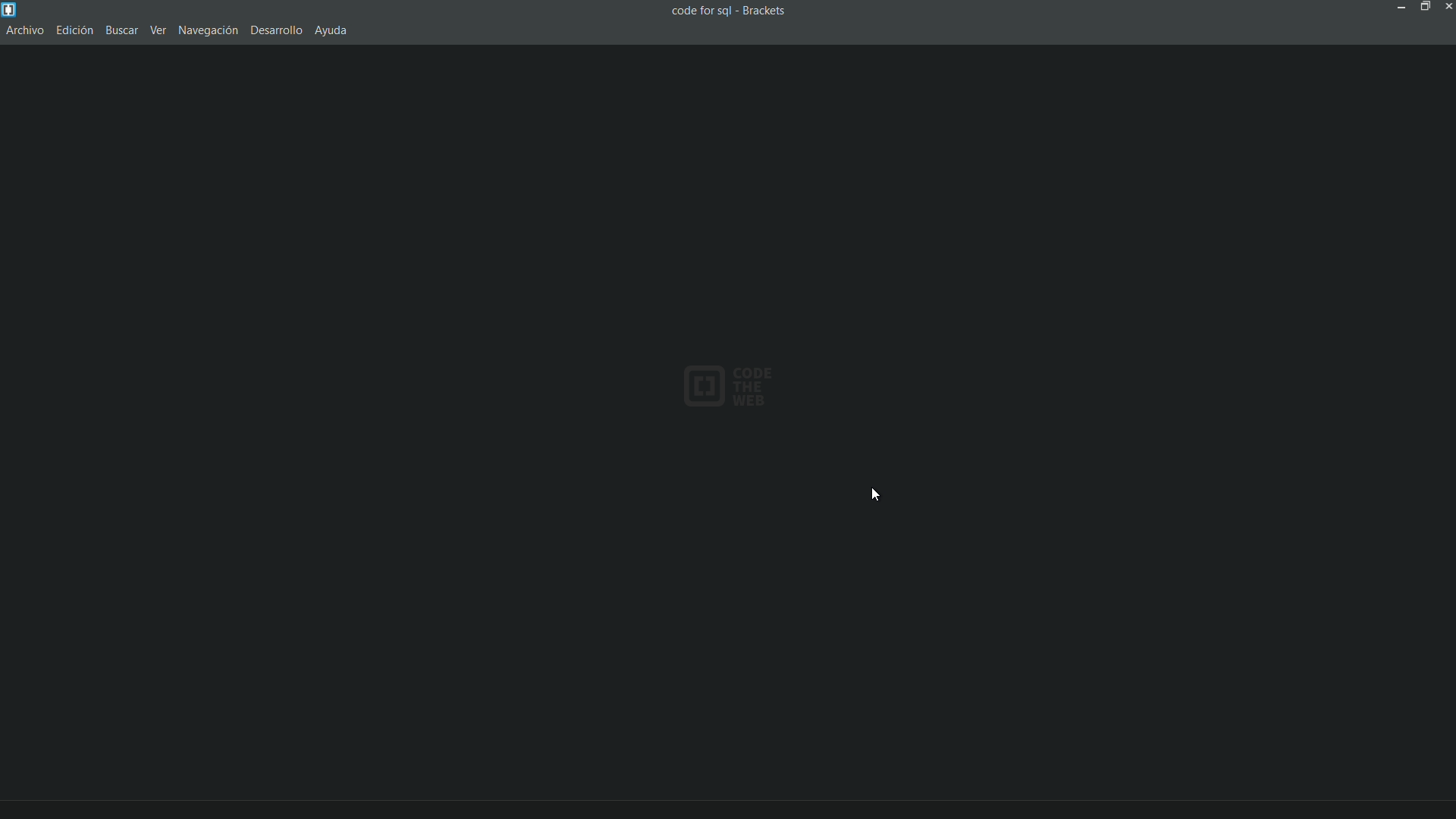 Image resolution: width=1456 pixels, height=819 pixels. What do you see at coordinates (1423, 8) in the screenshot?
I see `maximize` at bounding box center [1423, 8].